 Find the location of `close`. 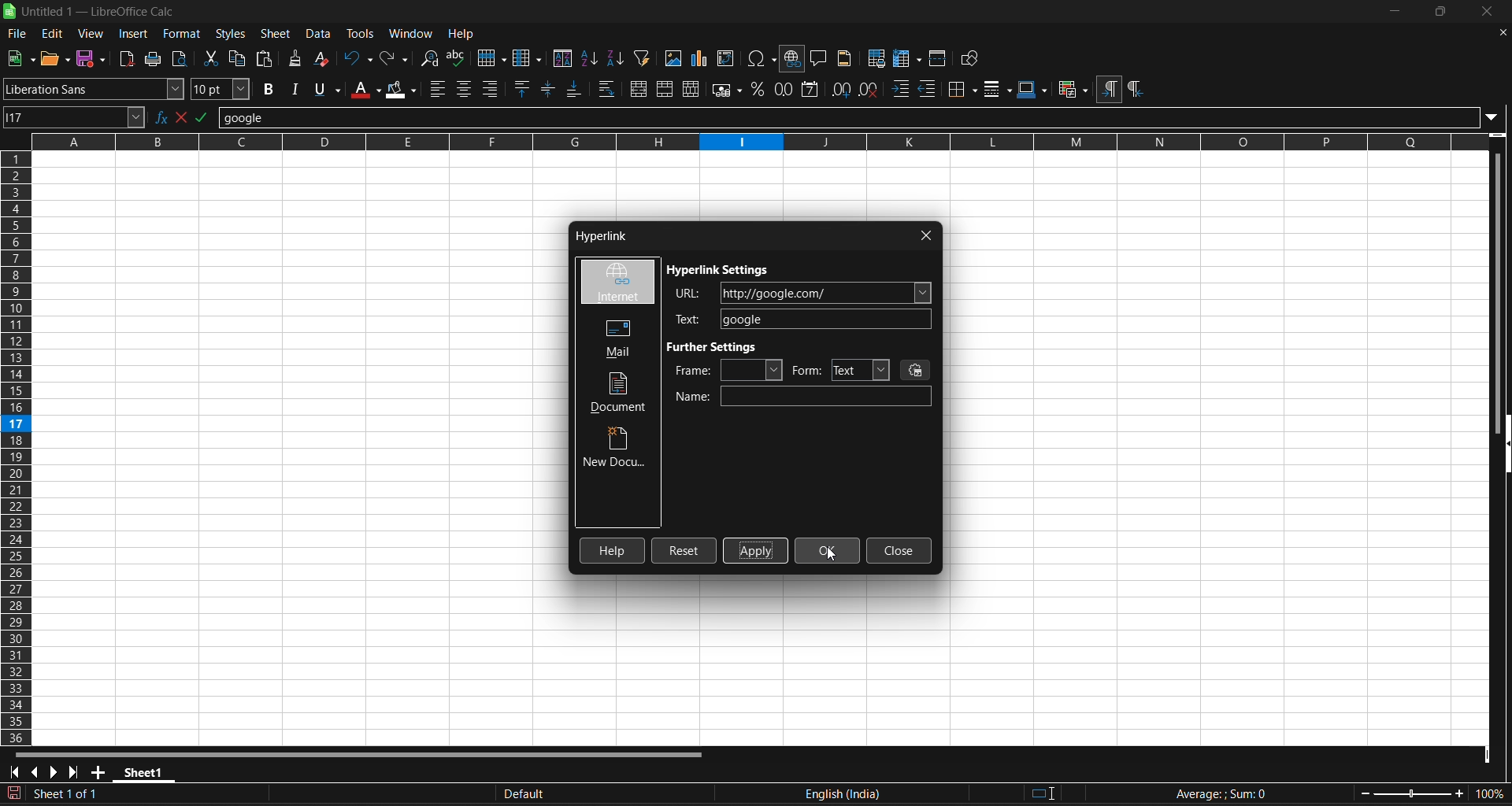

close is located at coordinates (899, 551).